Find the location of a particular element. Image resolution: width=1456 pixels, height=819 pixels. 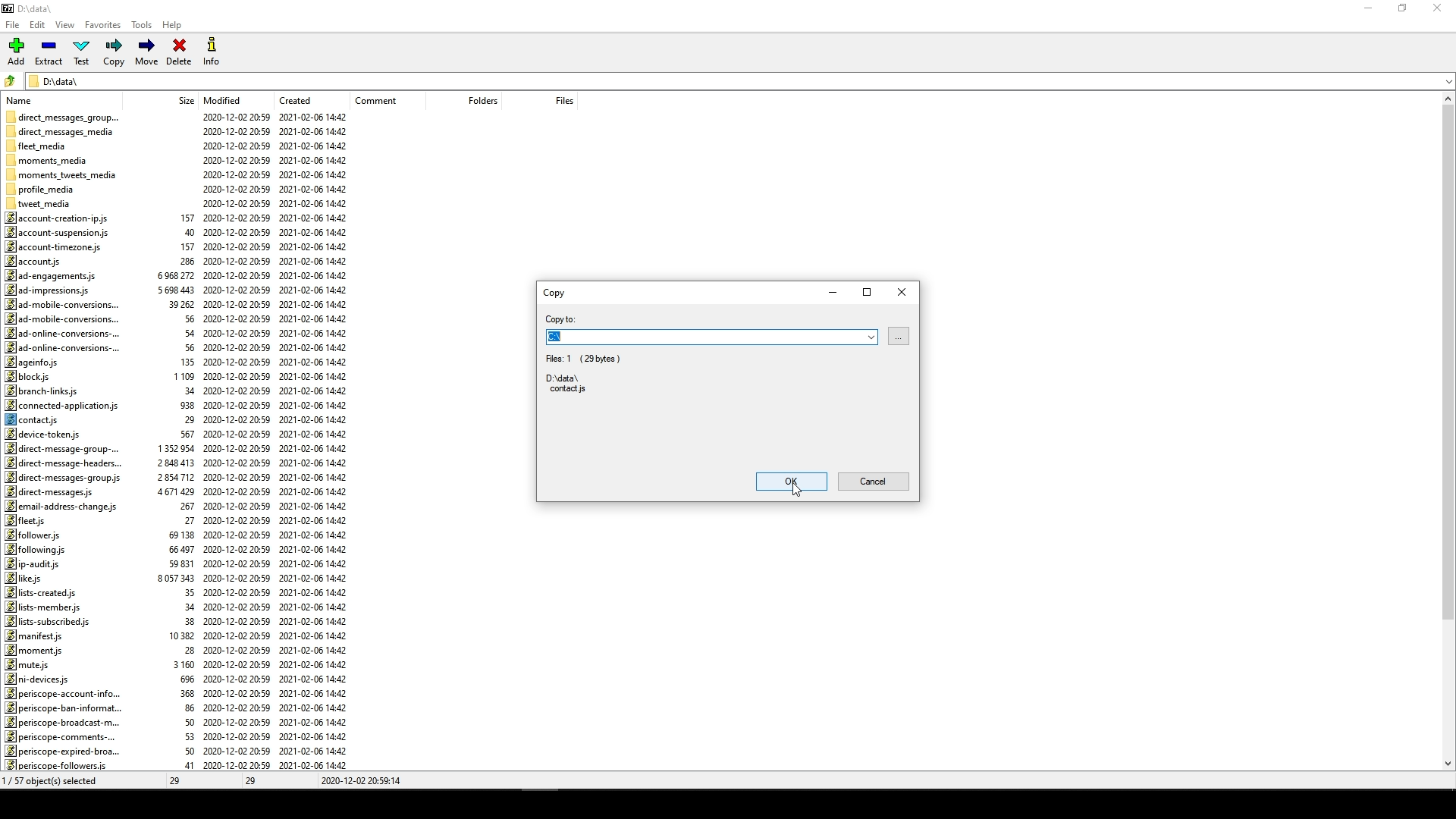

down is located at coordinates (1435, 86).